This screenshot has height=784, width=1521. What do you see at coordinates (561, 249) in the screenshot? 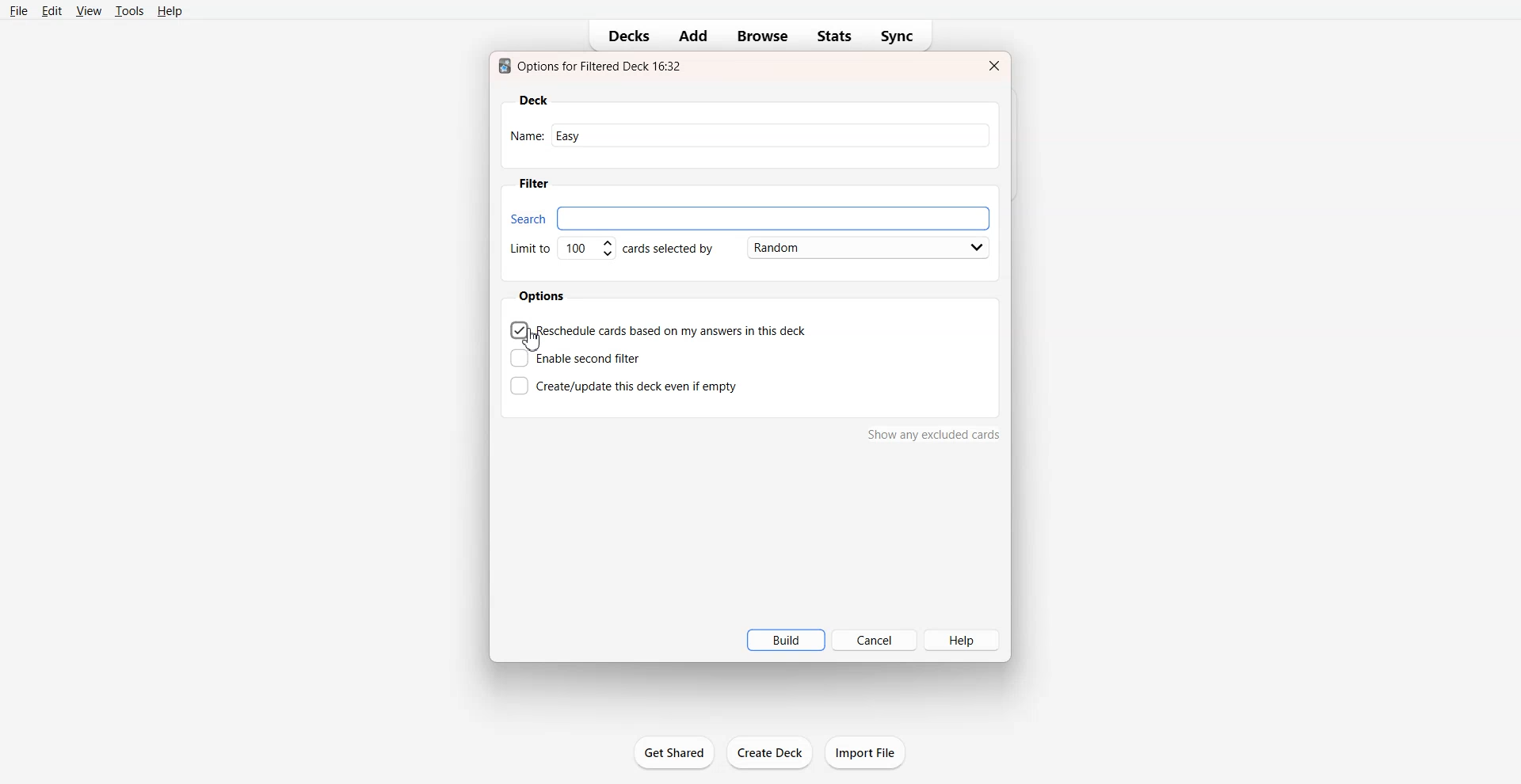
I see `Set Limit` at bounding box center [561, 249].